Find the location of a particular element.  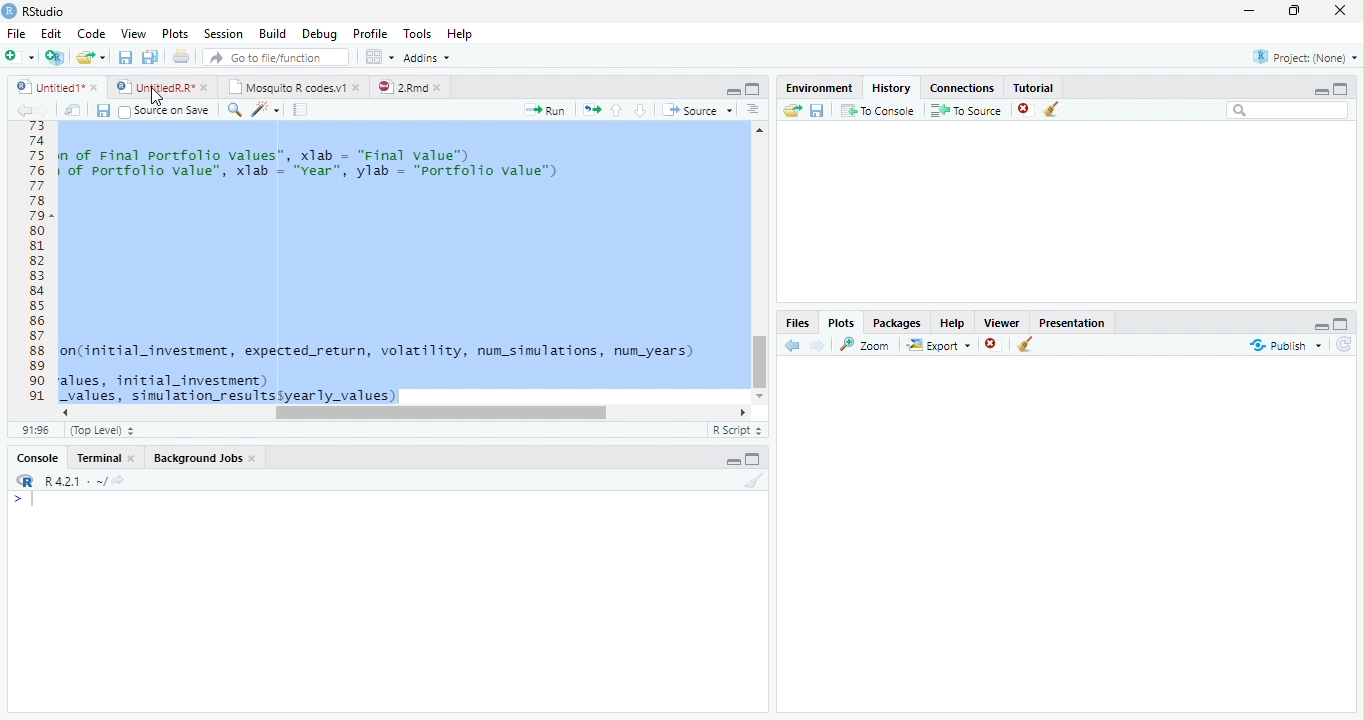

Refresh List is located at coordinates (1345, 345).